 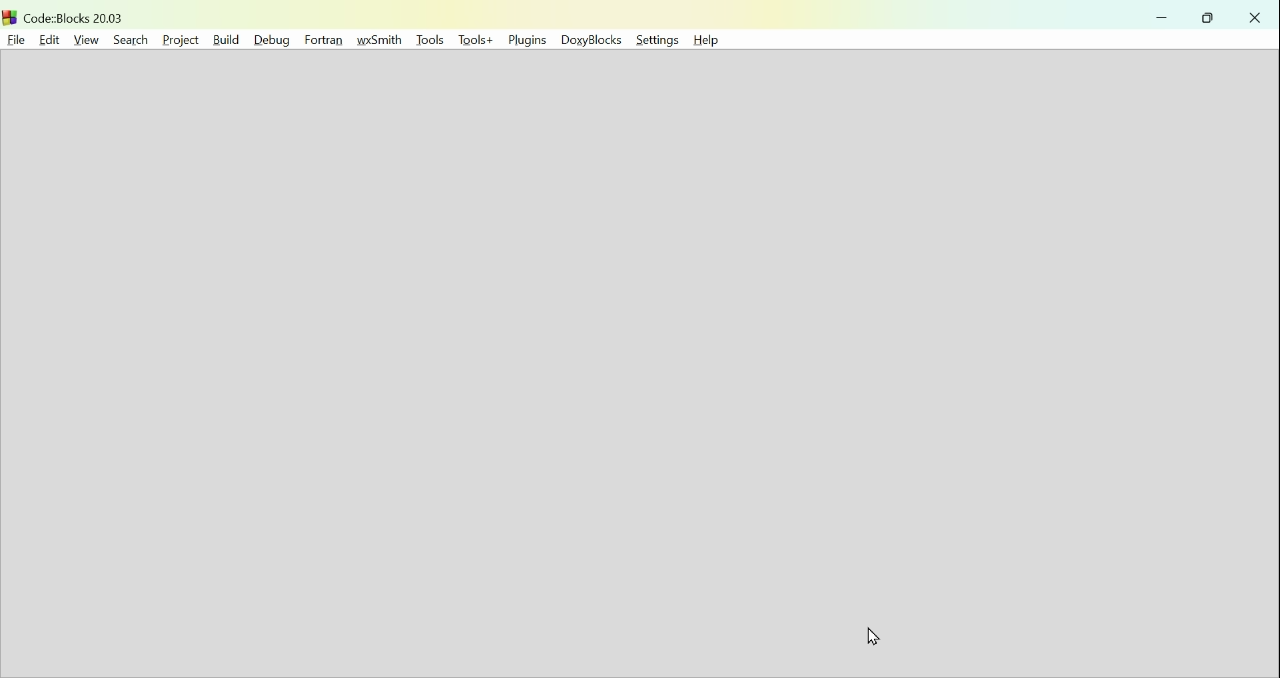 What do you see at coordinates (477, 41) in the screenshot?
I see `Tools+` at bounding box center [477, 41].